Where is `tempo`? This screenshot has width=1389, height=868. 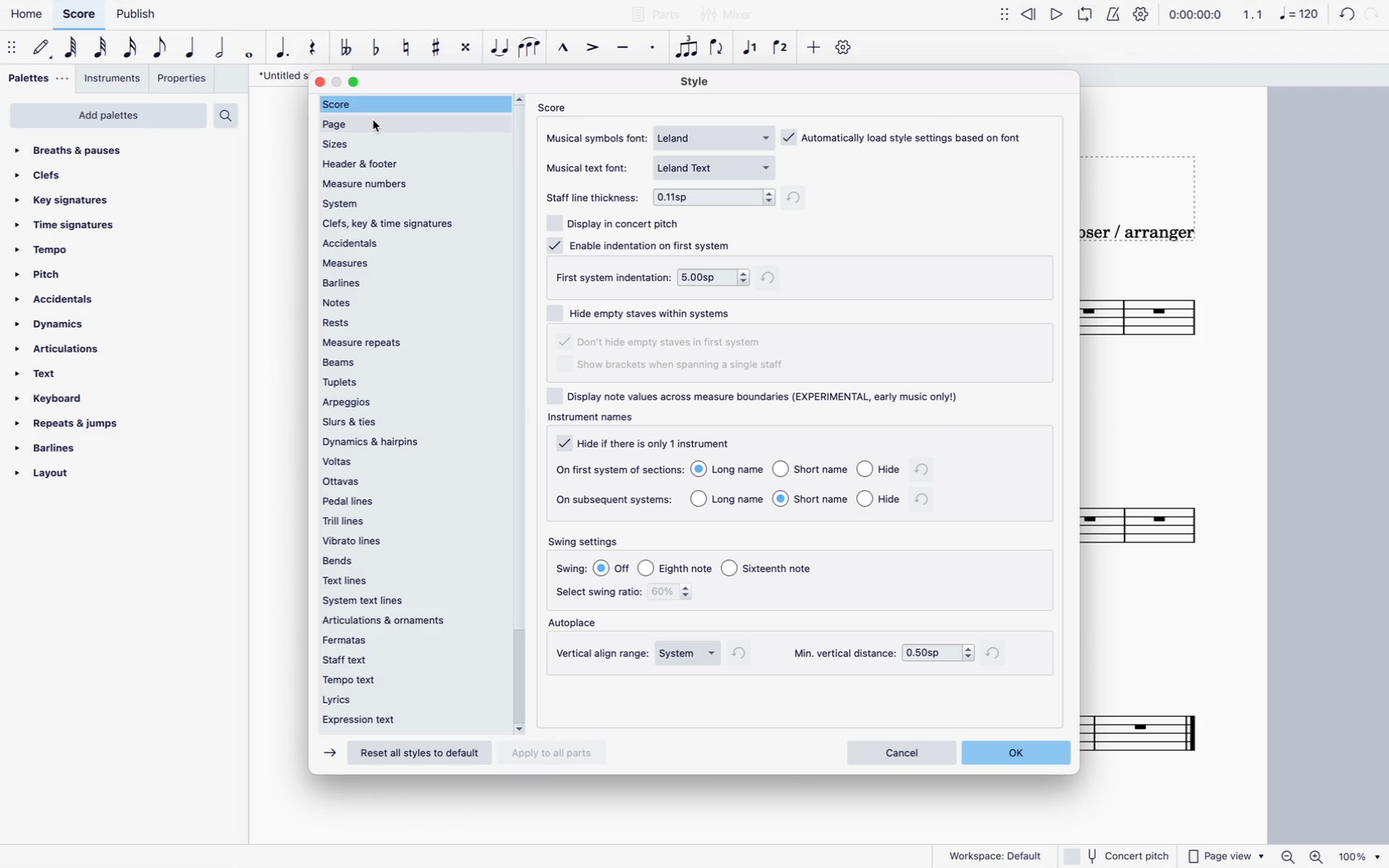
tempo is located at coordinates (45, 249).